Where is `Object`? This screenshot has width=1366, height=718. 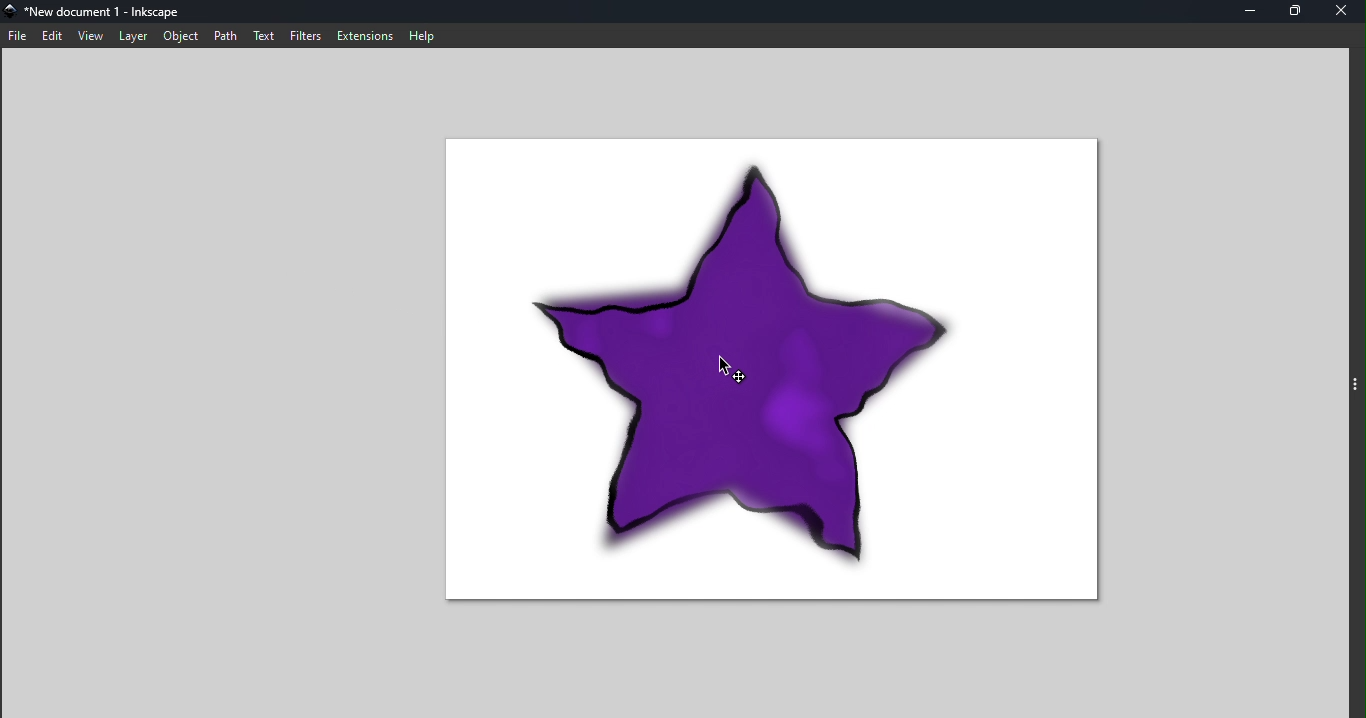
Object is located at coordinates (180, 36).